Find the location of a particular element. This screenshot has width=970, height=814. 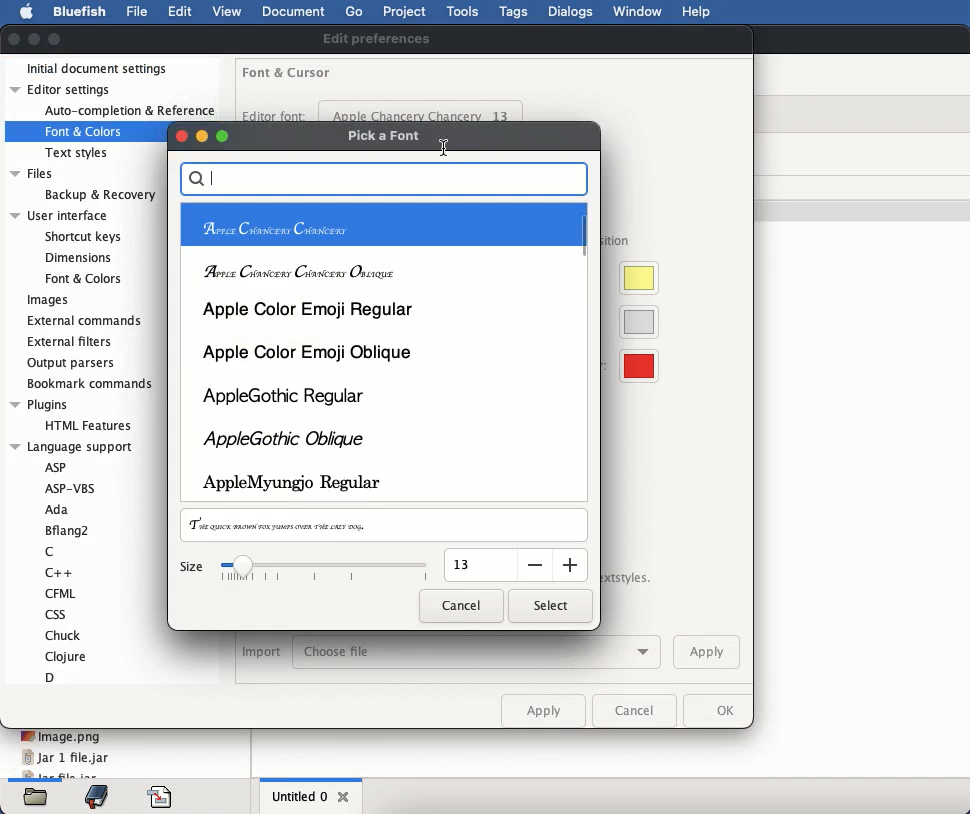

apple regular is located at coordinates (296, 484).